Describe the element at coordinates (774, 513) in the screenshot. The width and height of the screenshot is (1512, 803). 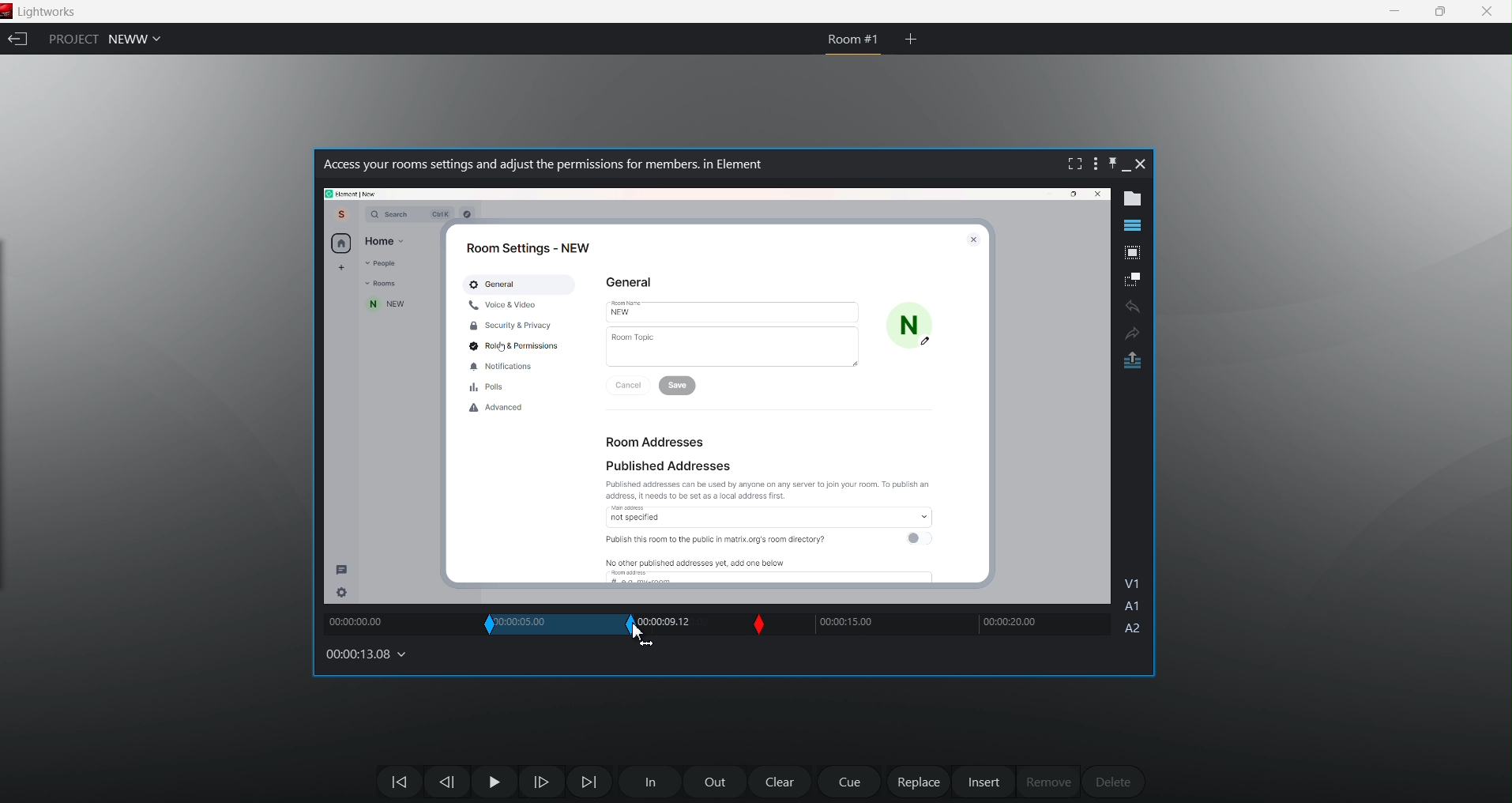
I see `access not specified` at that location.